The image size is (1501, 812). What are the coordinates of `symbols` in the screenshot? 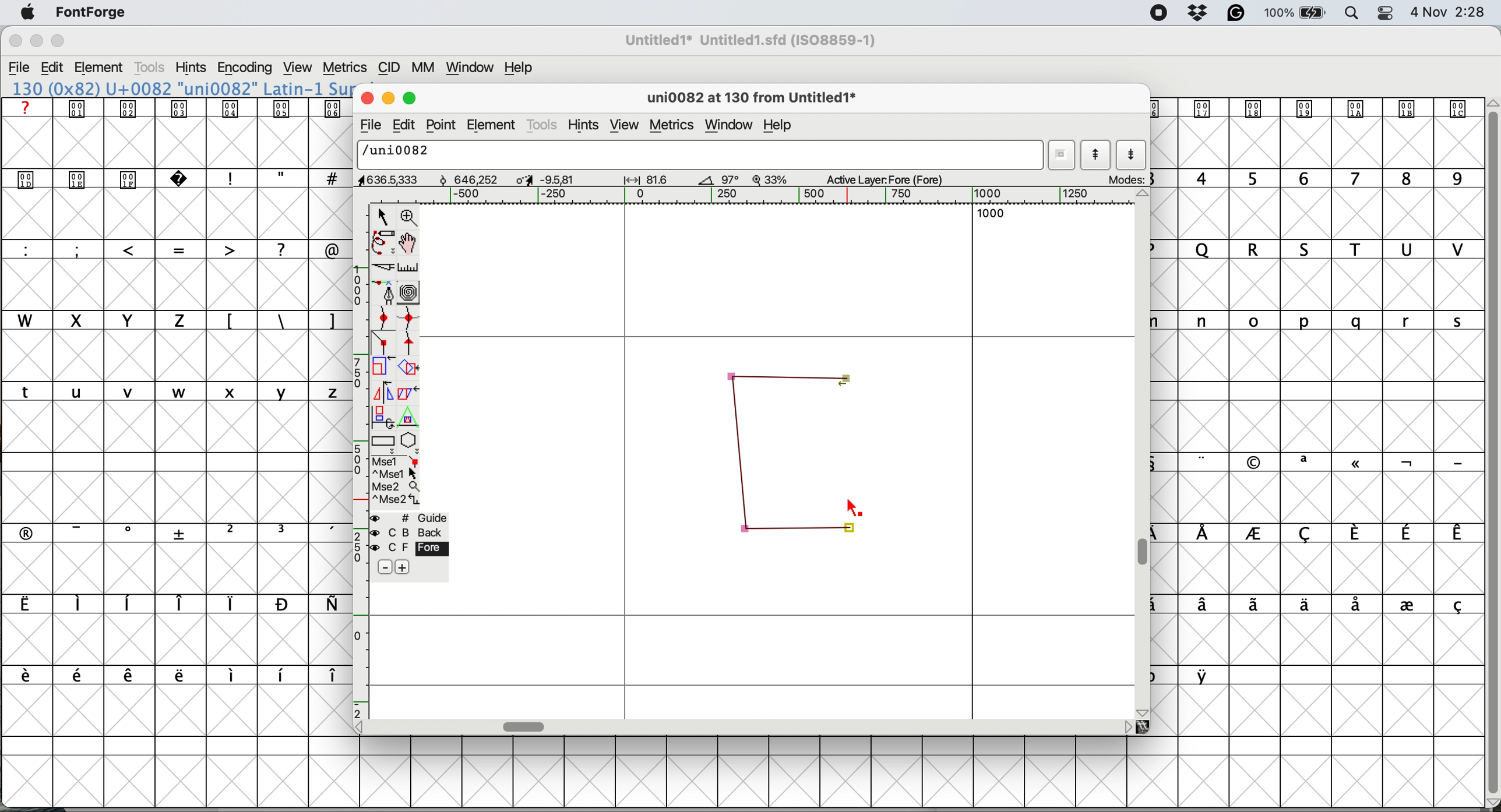 It's located at (179, 108).